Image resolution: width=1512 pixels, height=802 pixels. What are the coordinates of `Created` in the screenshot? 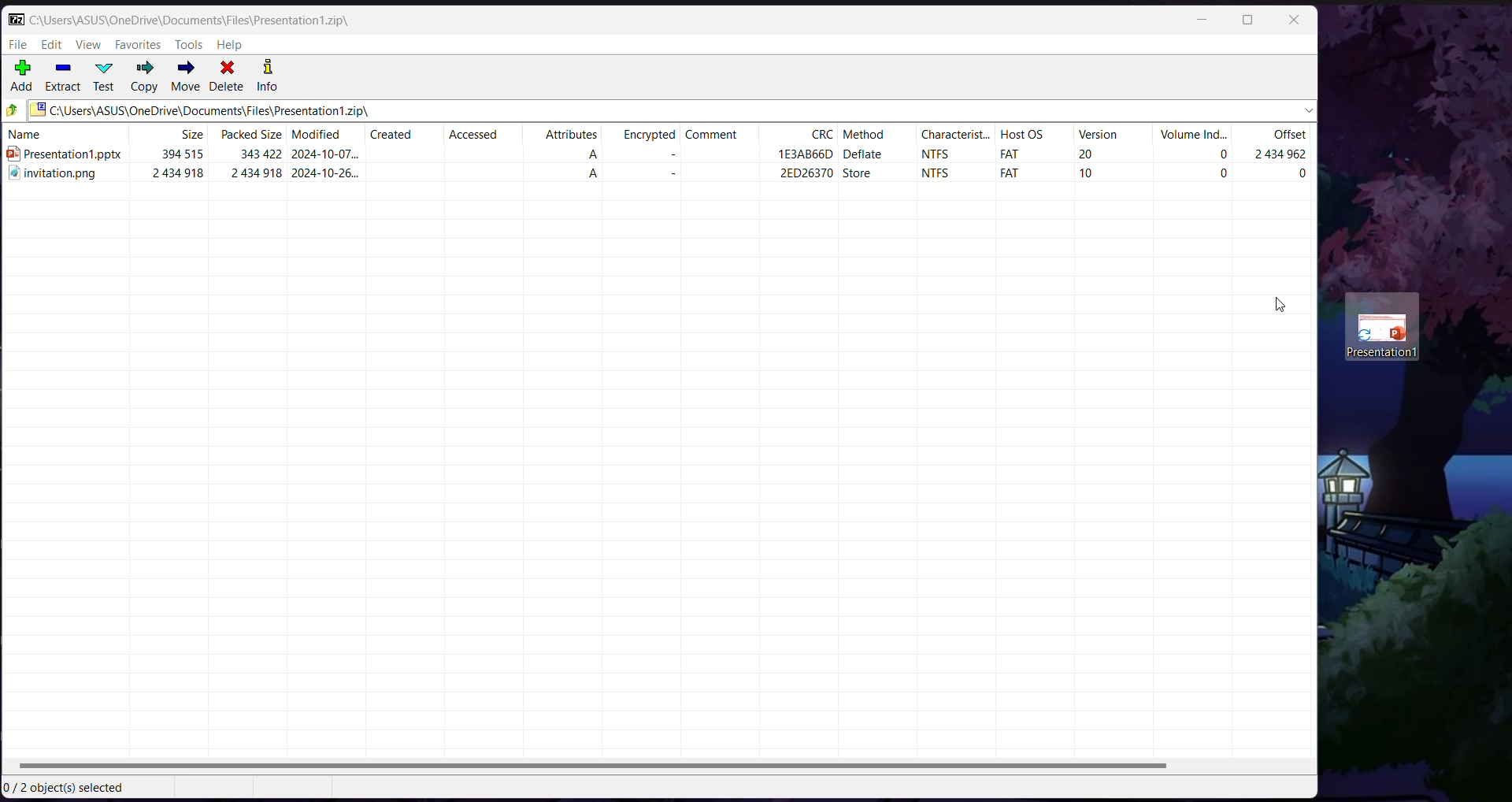 It's located at (390, 135).